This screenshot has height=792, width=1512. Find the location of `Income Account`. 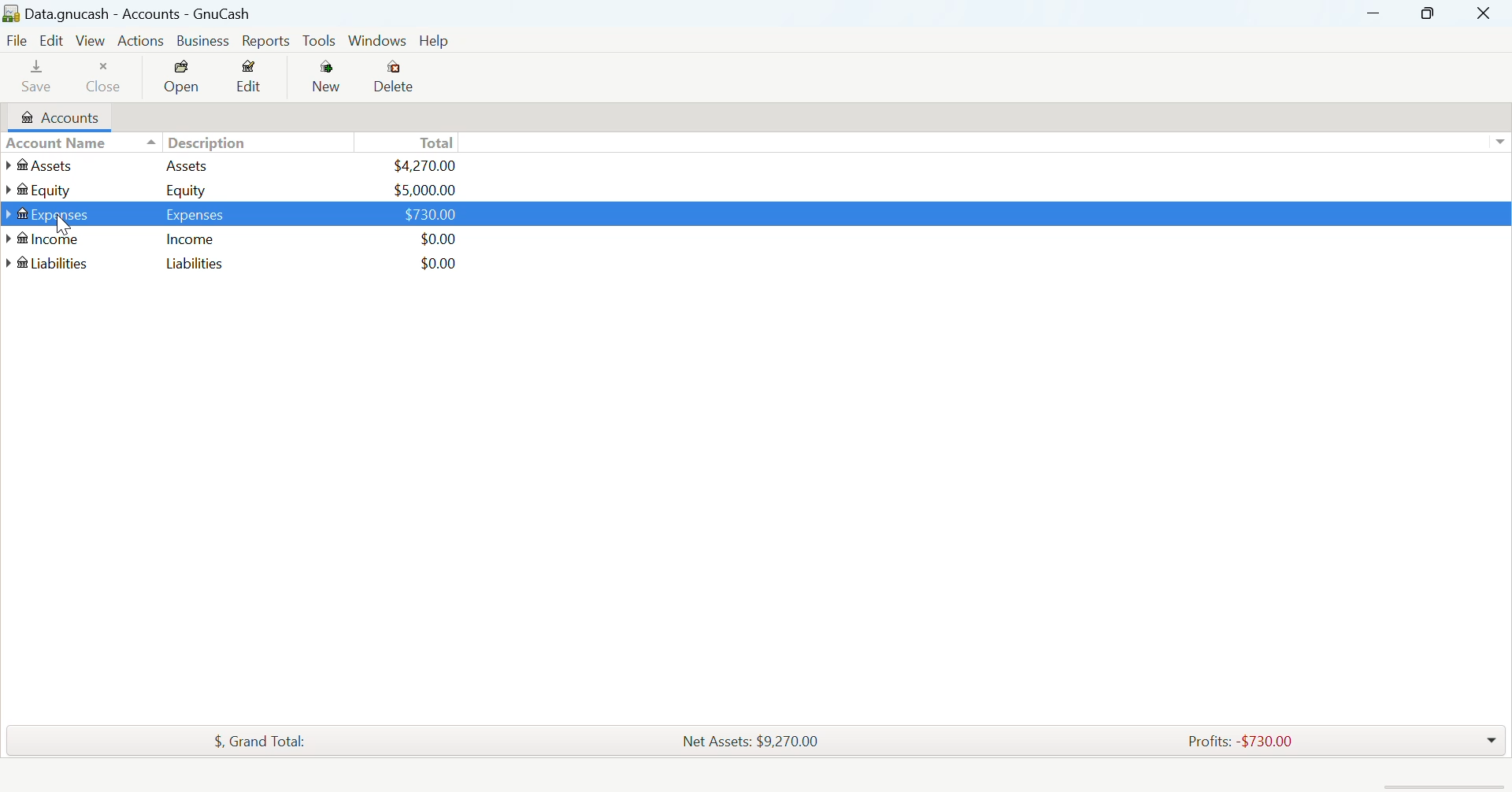

Income Account is located at coordinates (230, 239).